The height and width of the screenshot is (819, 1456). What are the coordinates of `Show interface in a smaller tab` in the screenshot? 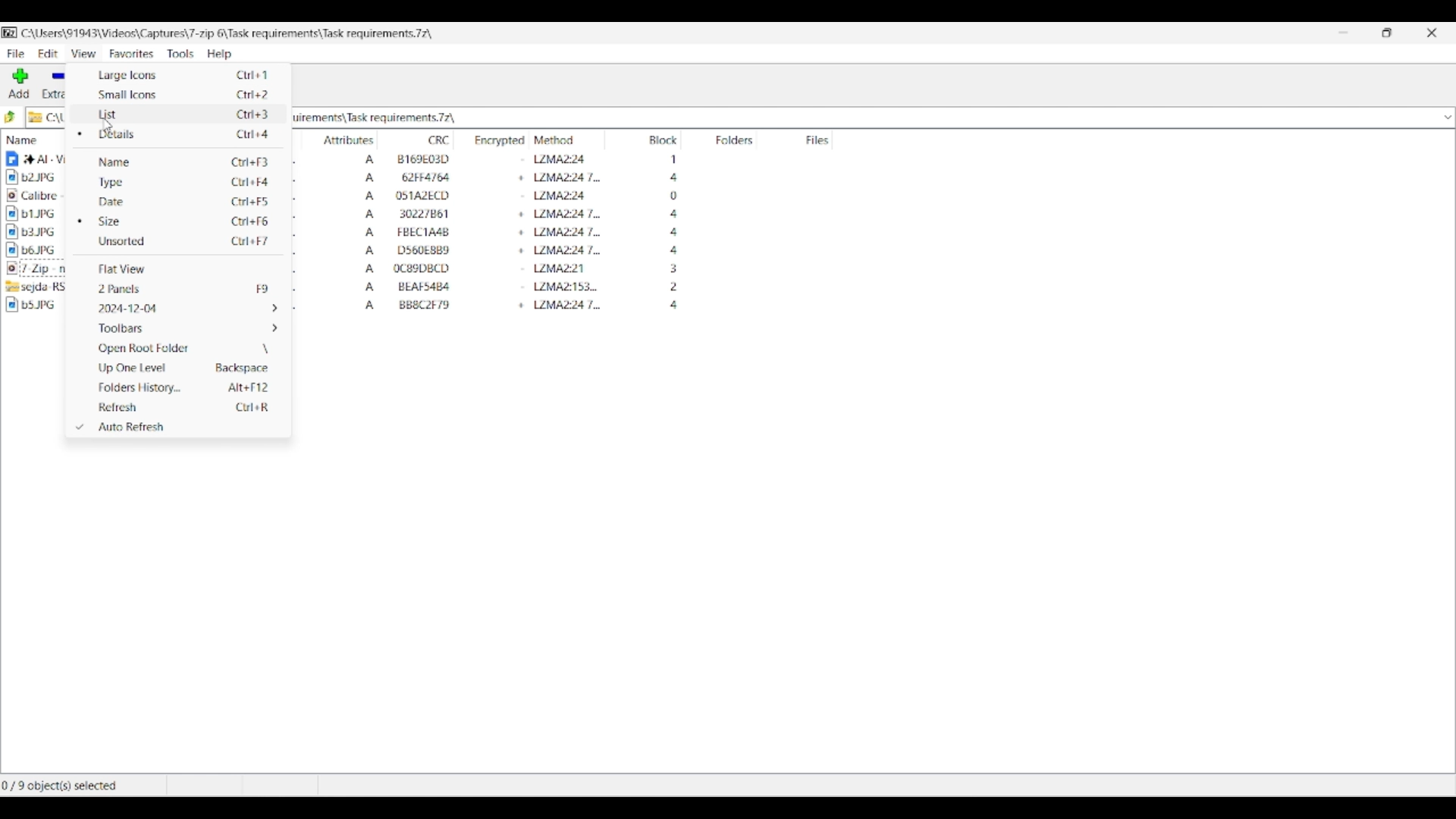 It's located at (1387, 33).